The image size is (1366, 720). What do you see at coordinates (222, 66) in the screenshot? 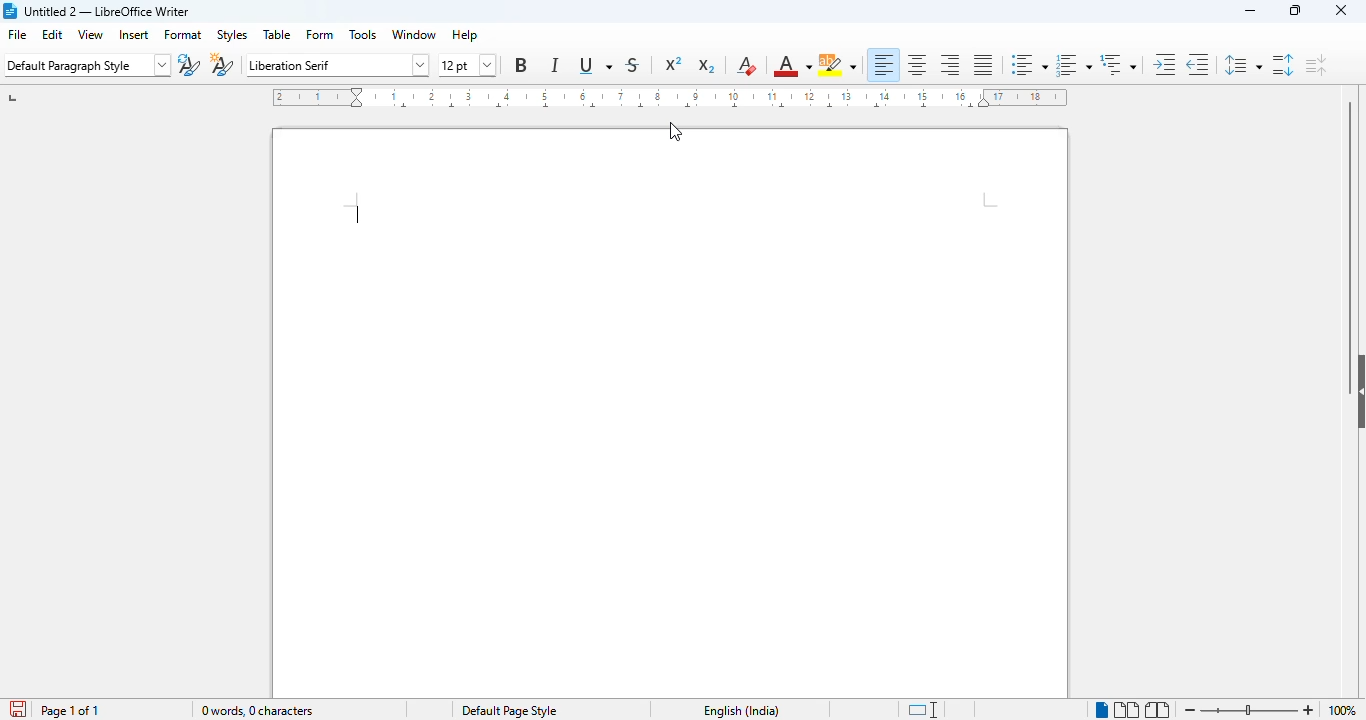
I see `new style from selection` at bounding box center [222, 66].